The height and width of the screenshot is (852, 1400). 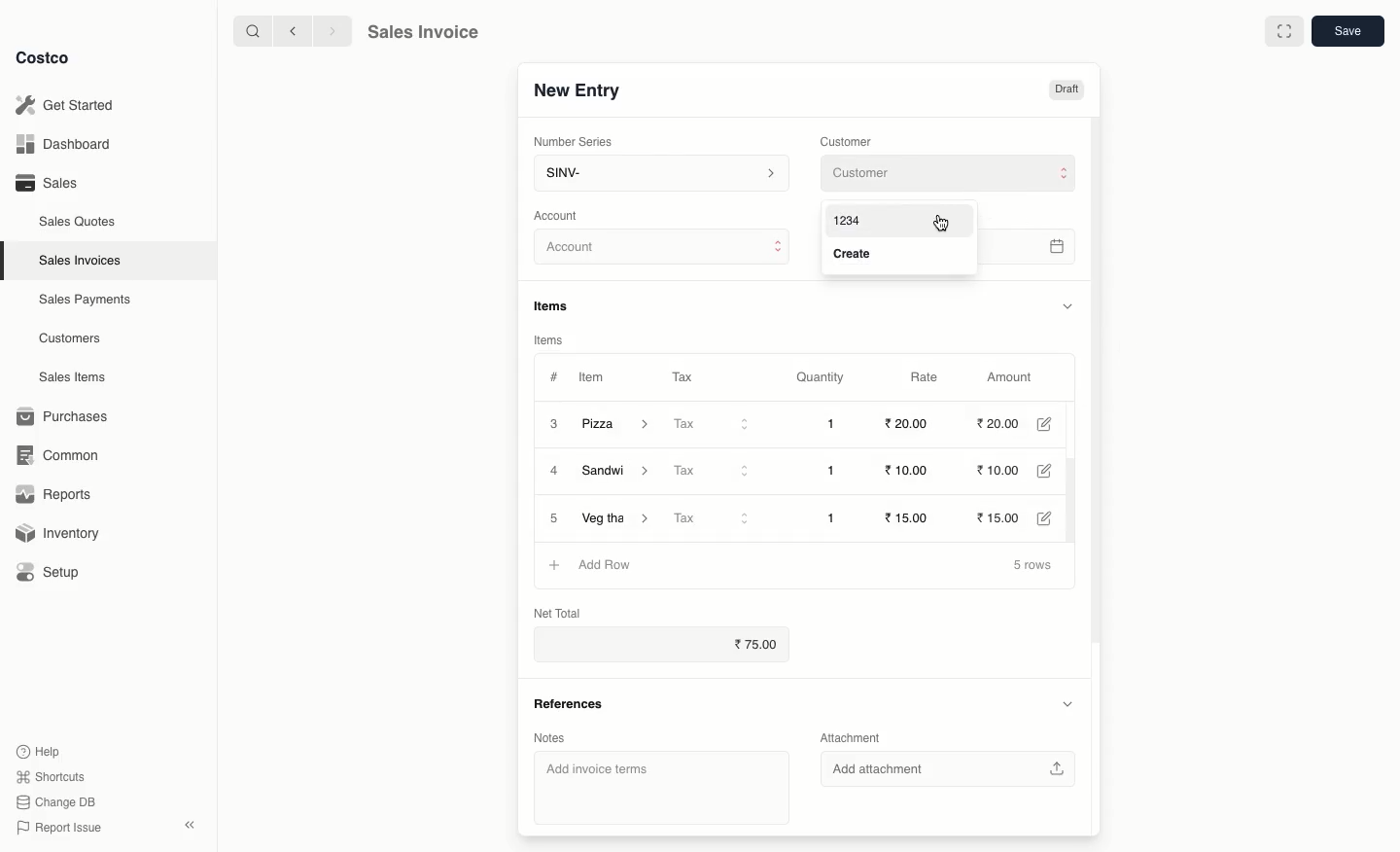 What do you see at coordinates (61, 531) in the screenshot?
I see `Inventory` at bounding box center [61, 531].